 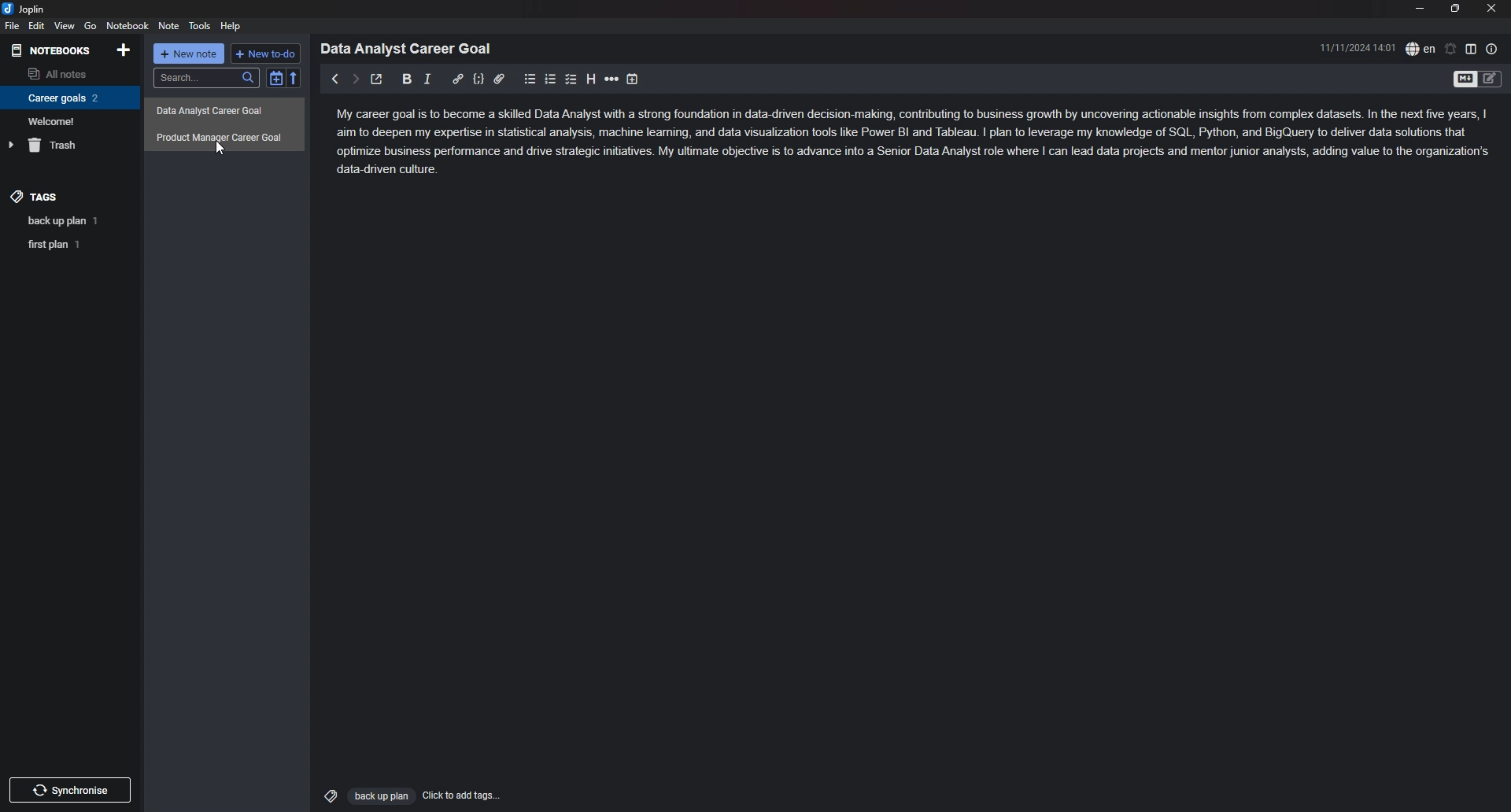 What do you see at coordinates (294, 77) in the screenshot?
I see `reverse sort order` at bounding box center [294, 77].